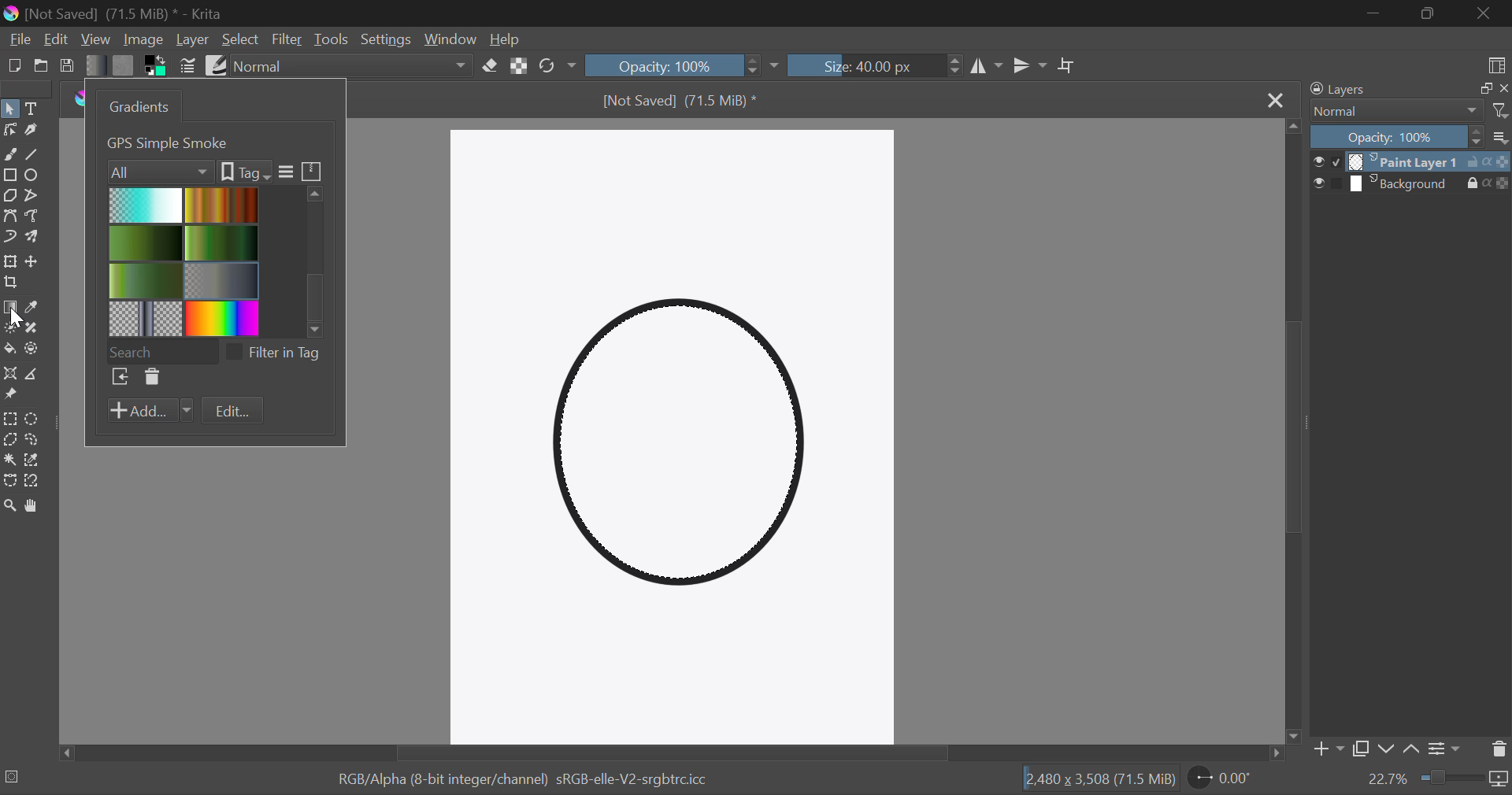  I want to click on Similar Color Selection, so click(39, 459).